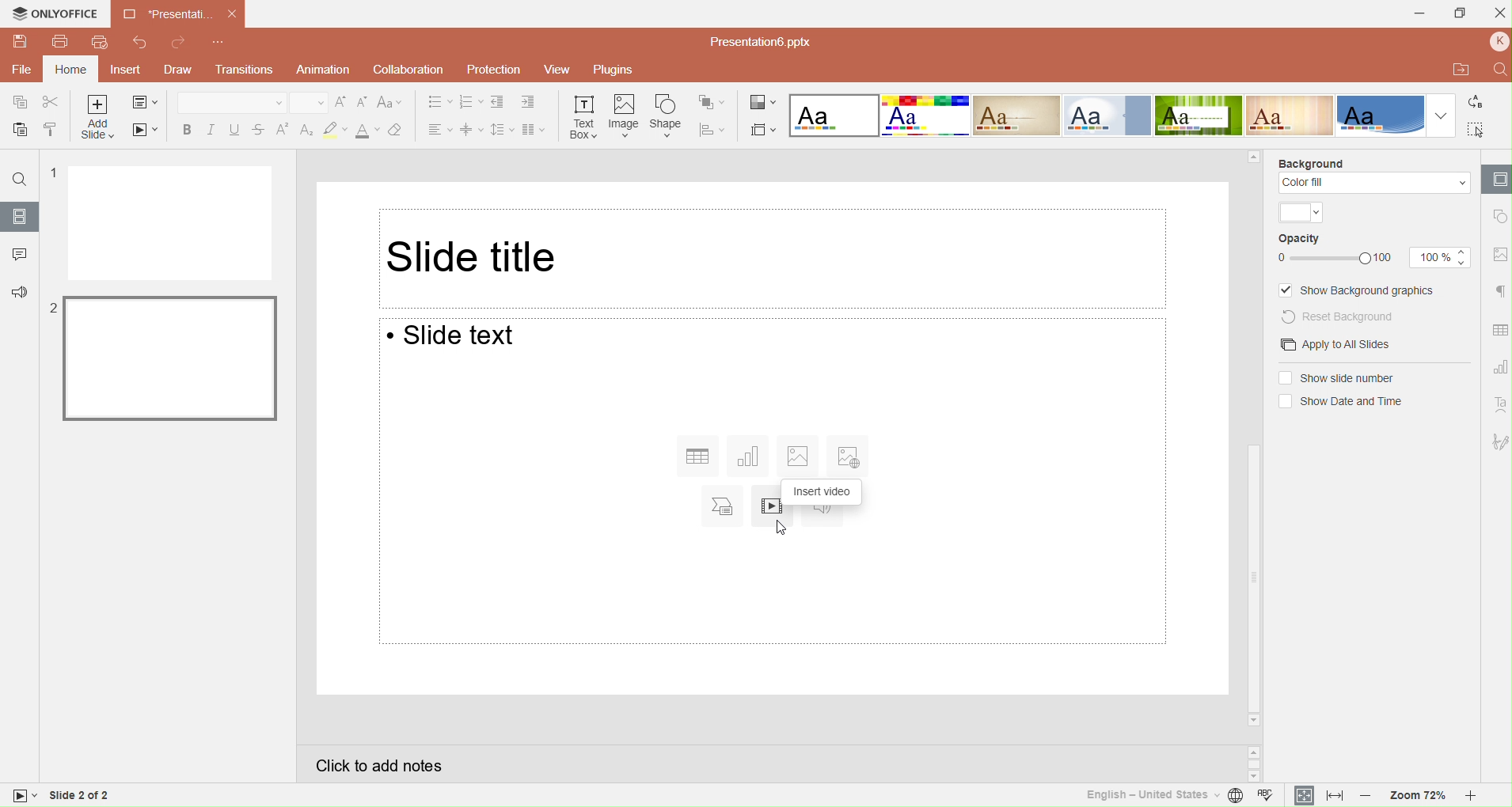 The height and width of the screenshot is (807, 1512). Describe the element at coordinates (1498, 254) in the screenshot. I see `Image setting` at that location.